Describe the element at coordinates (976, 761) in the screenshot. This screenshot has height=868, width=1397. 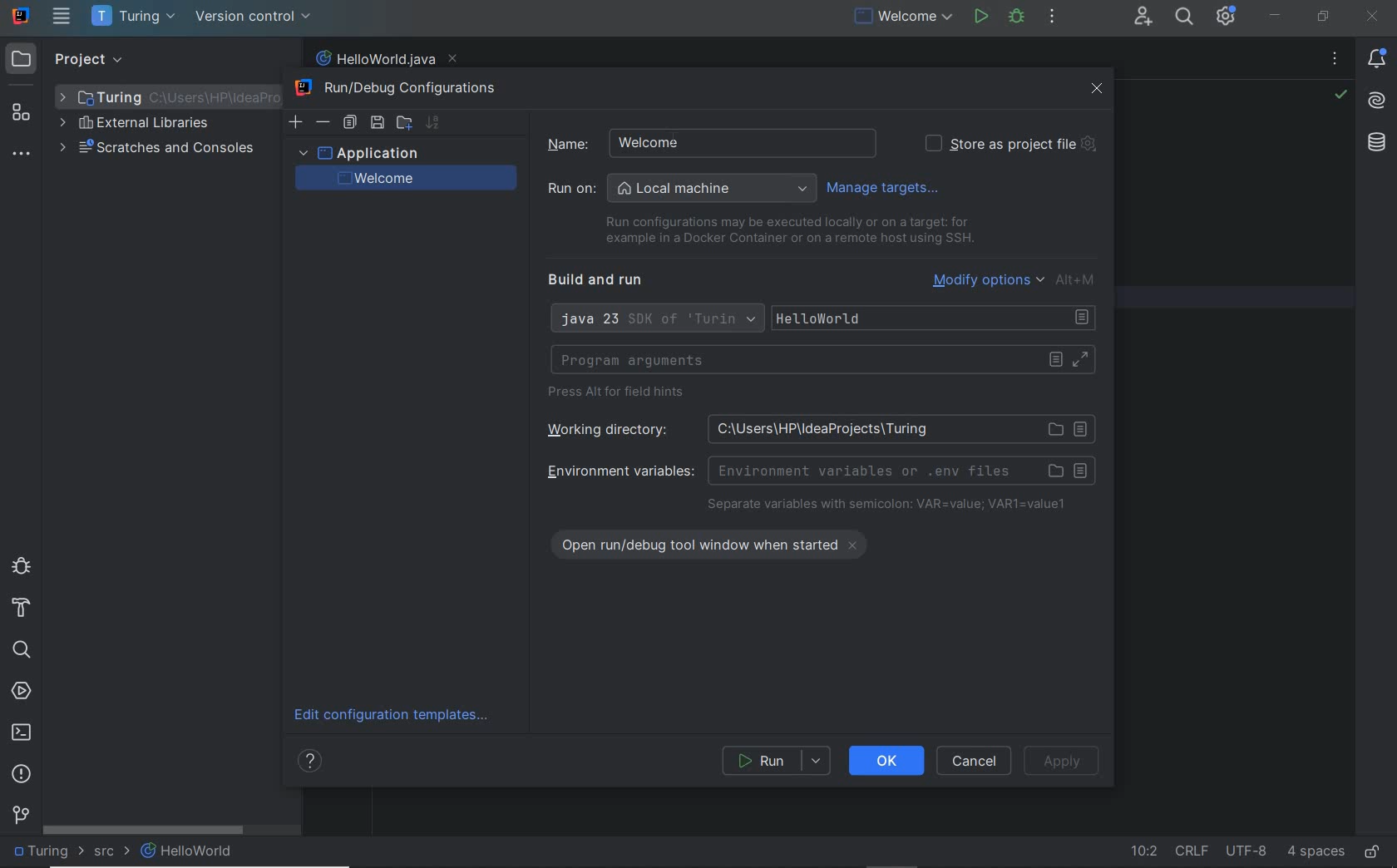
I see `cancel` at that location.